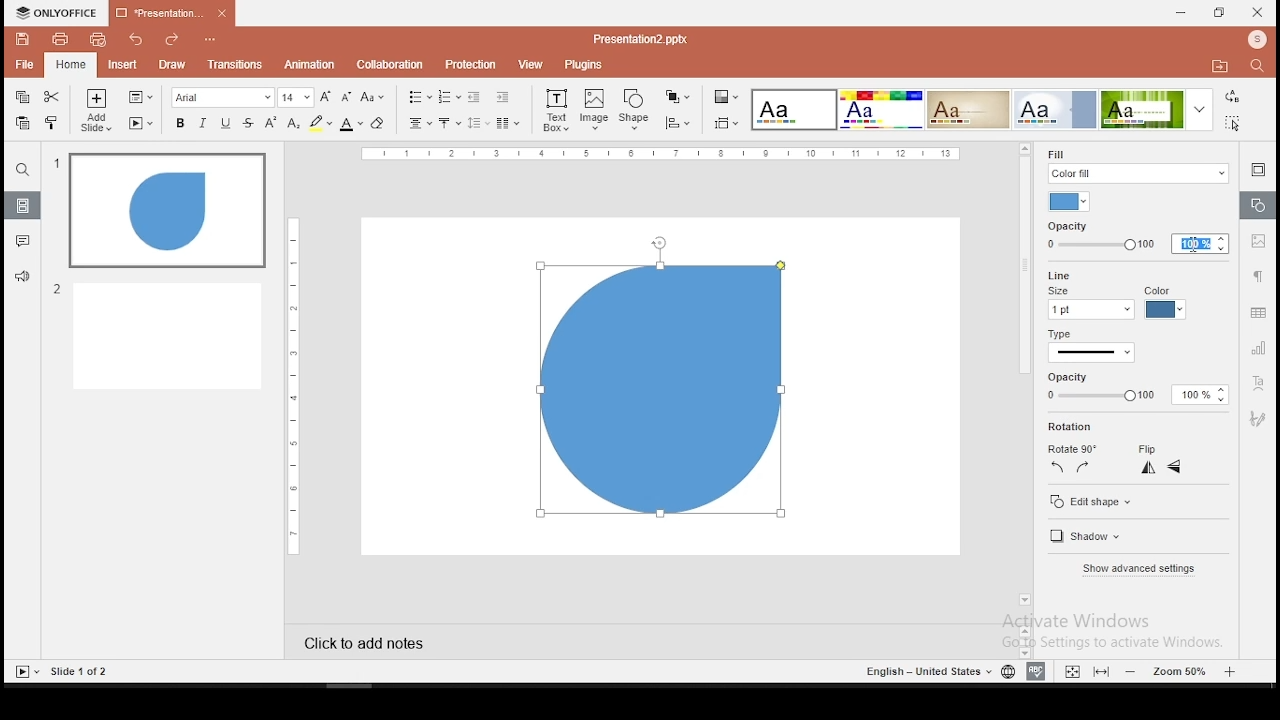  Describe the element at coordinates (1071, 449) in the screenshot. I see `rotate 90` at that location.